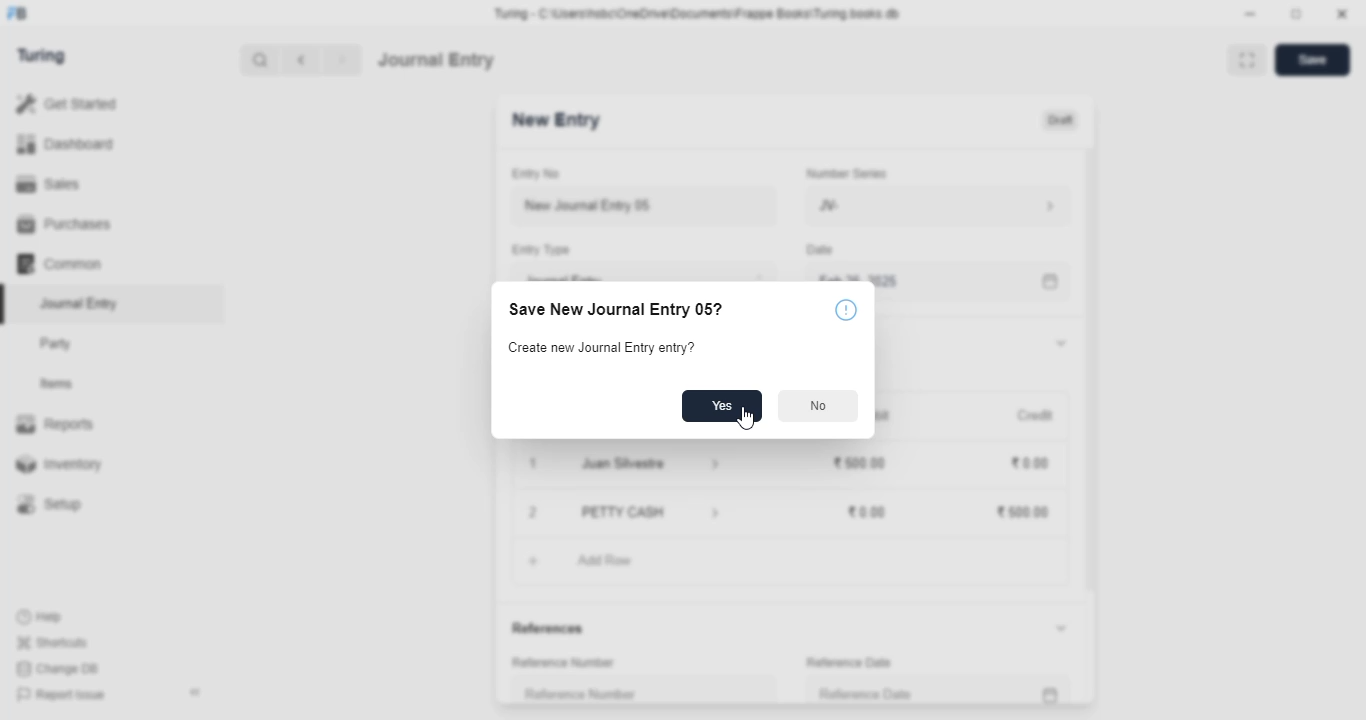 The height and width of the screenshot is (720, 1366). What do you see at coordinates (51, 505) in the screenshot?
I see `setup` at bounding box center [51, 505].